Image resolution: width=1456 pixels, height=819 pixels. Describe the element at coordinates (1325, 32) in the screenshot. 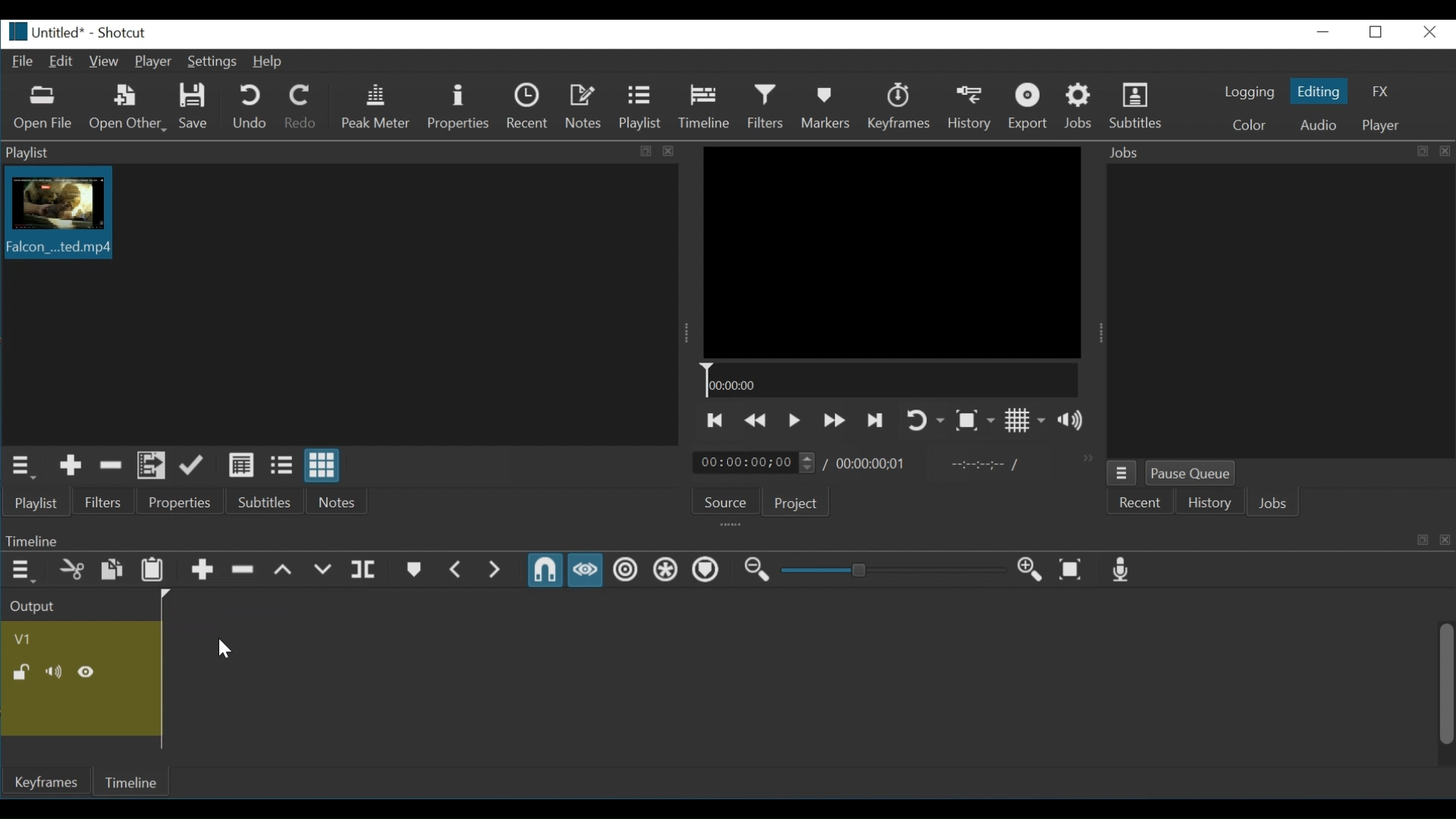

I see `Minimize` at that location.